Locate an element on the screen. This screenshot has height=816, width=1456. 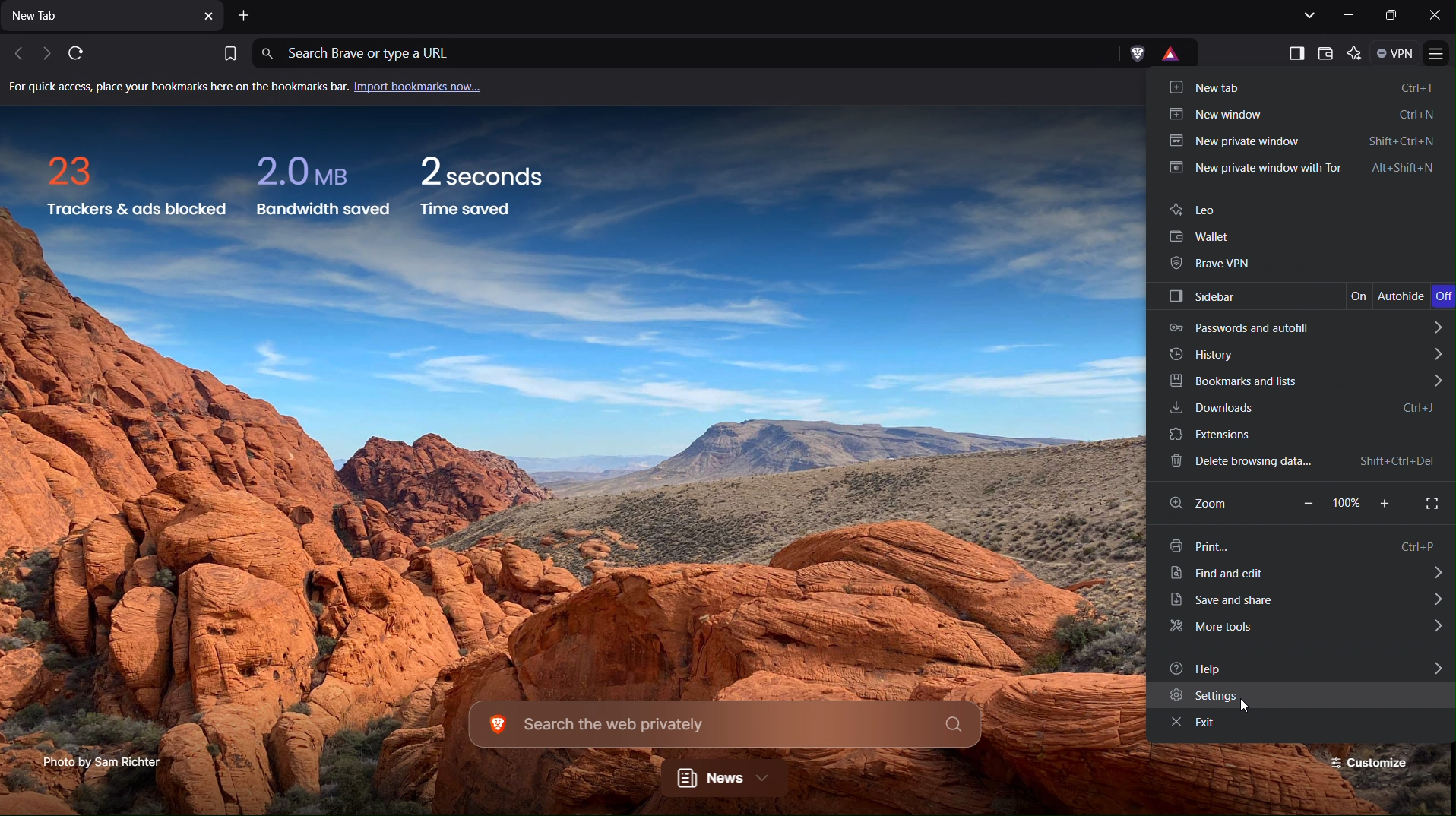
Photo Credit is located at coordinates (101, 762).